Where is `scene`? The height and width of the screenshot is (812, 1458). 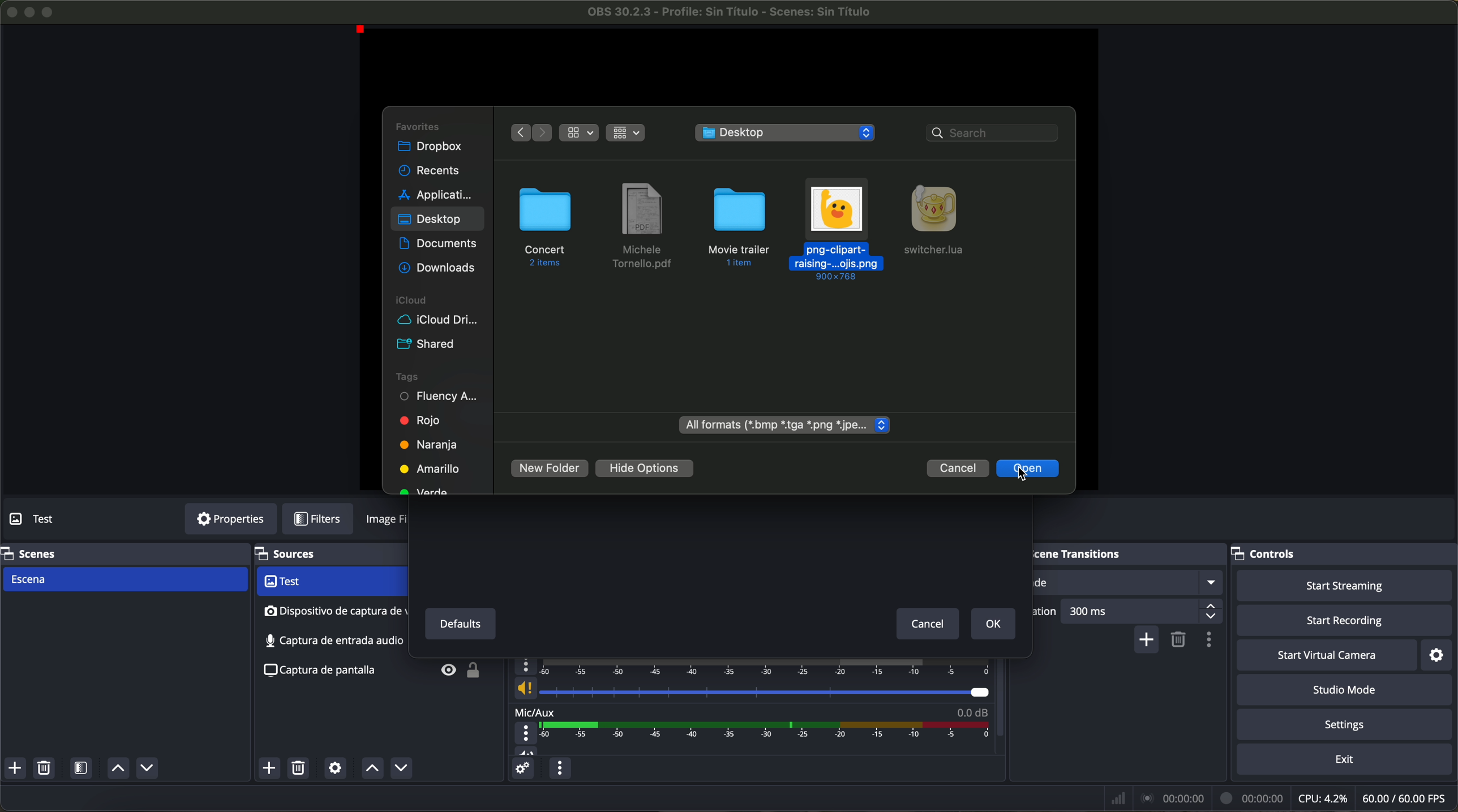
scene is located at coordinates (124, 580).